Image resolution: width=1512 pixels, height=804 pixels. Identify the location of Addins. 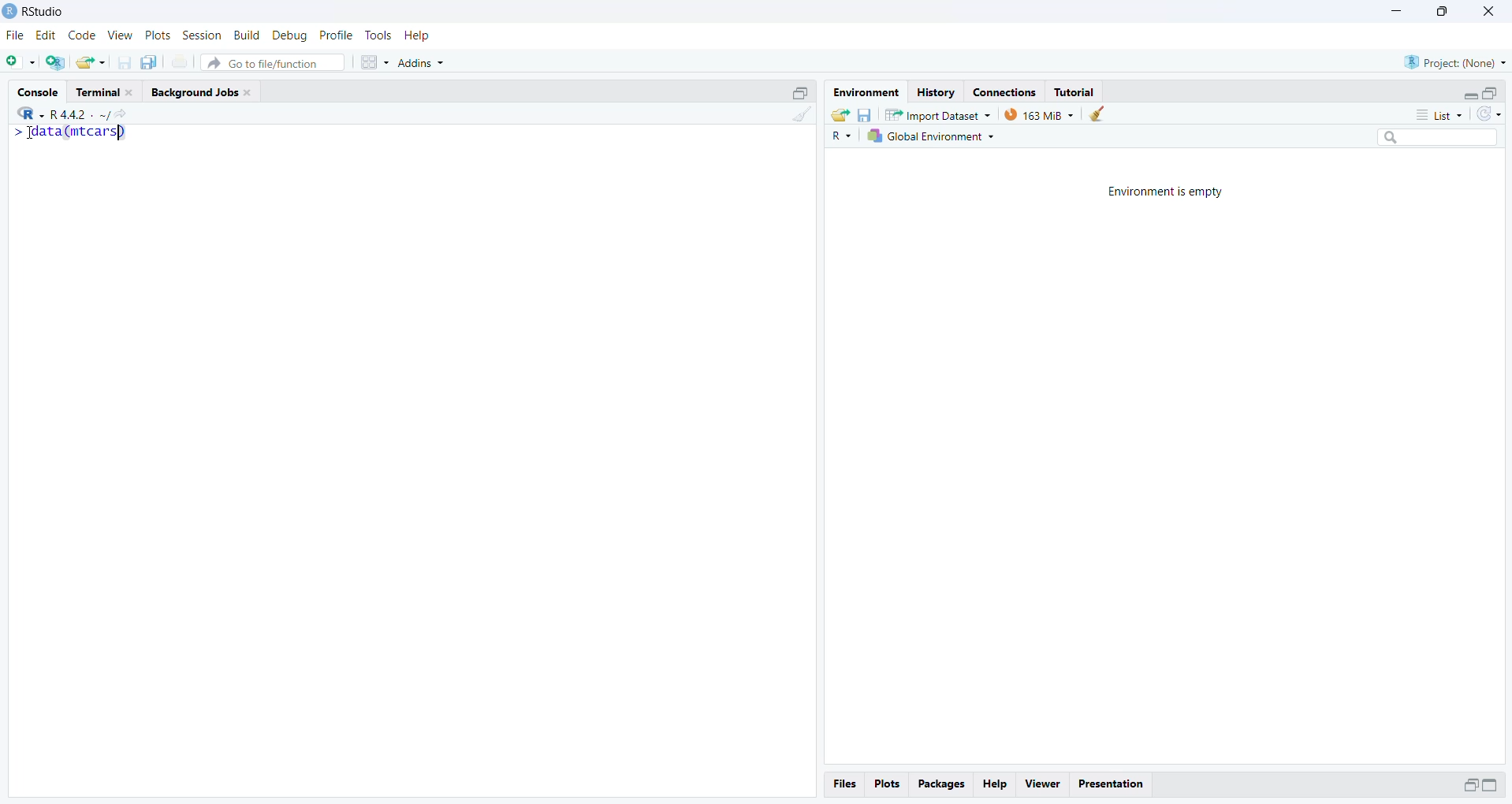
(422, 62).